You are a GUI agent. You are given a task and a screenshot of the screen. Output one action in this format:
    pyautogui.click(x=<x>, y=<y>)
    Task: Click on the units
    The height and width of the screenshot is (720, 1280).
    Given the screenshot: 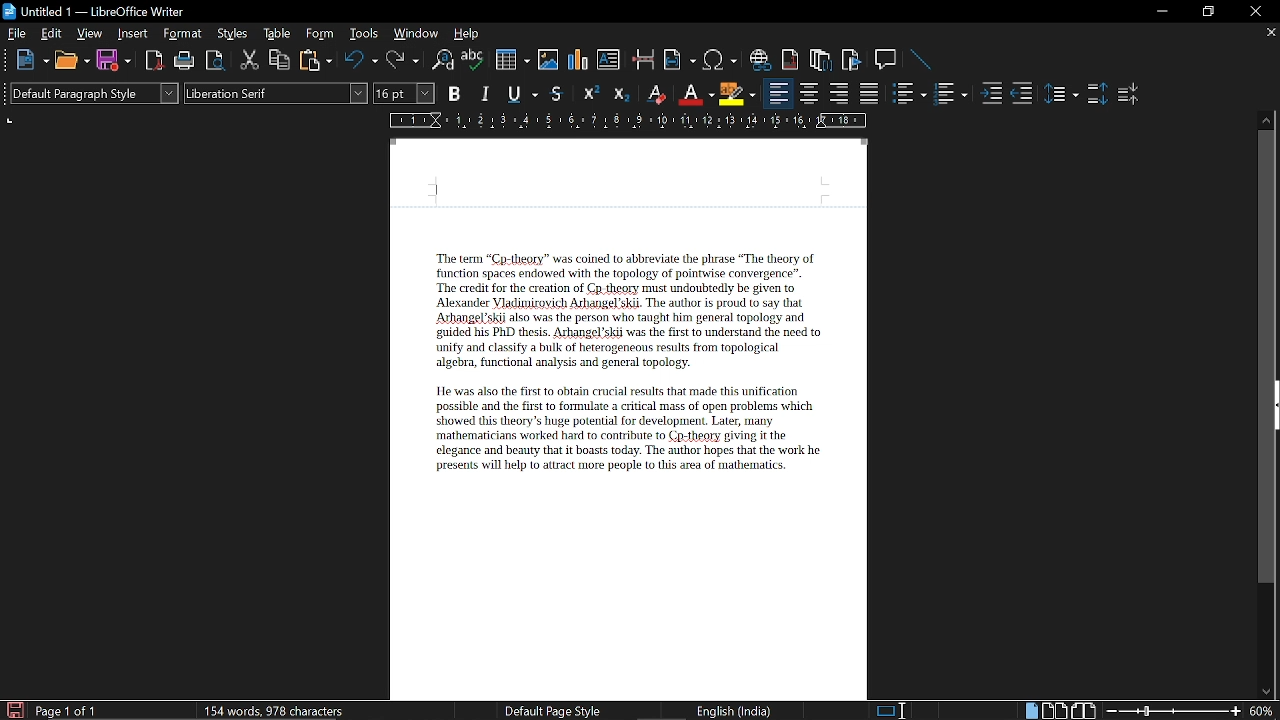 What is the action you would take?
    pyautogui.click(x=10, y=120)
    